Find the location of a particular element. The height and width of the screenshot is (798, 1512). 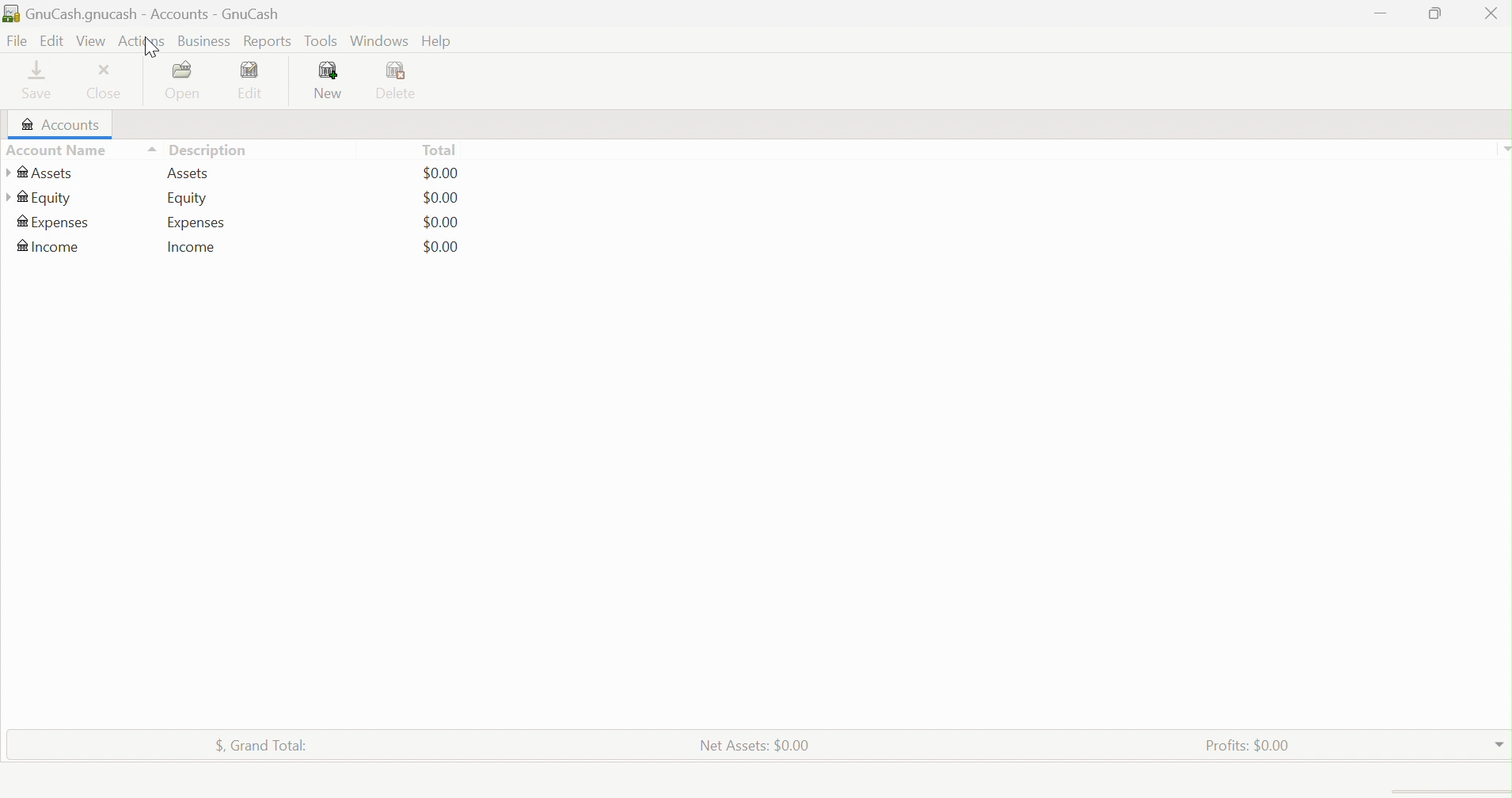

Accounts is located at coordinates (57, 125).